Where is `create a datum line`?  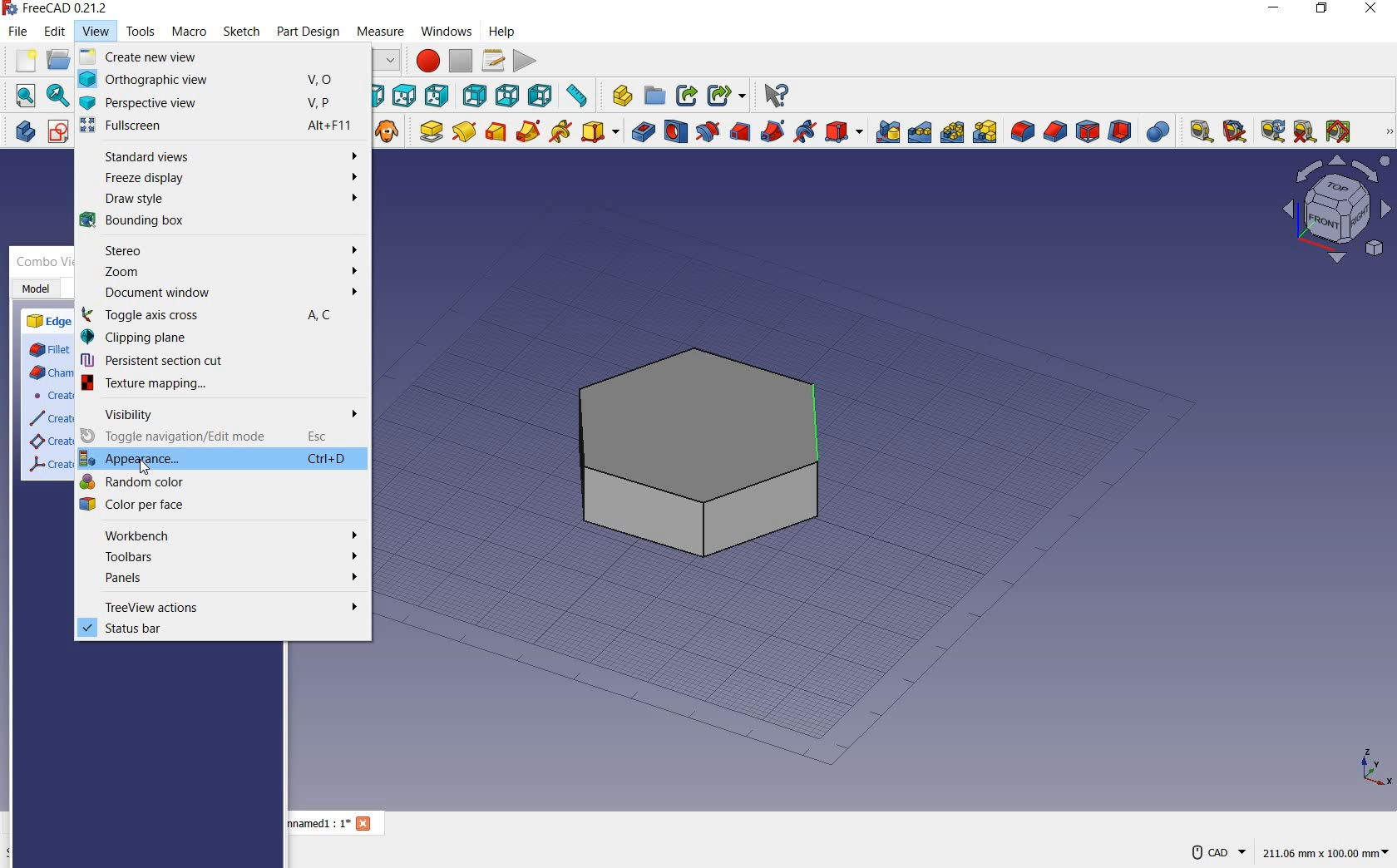
create a datum line is located at coordinates (50, 420).